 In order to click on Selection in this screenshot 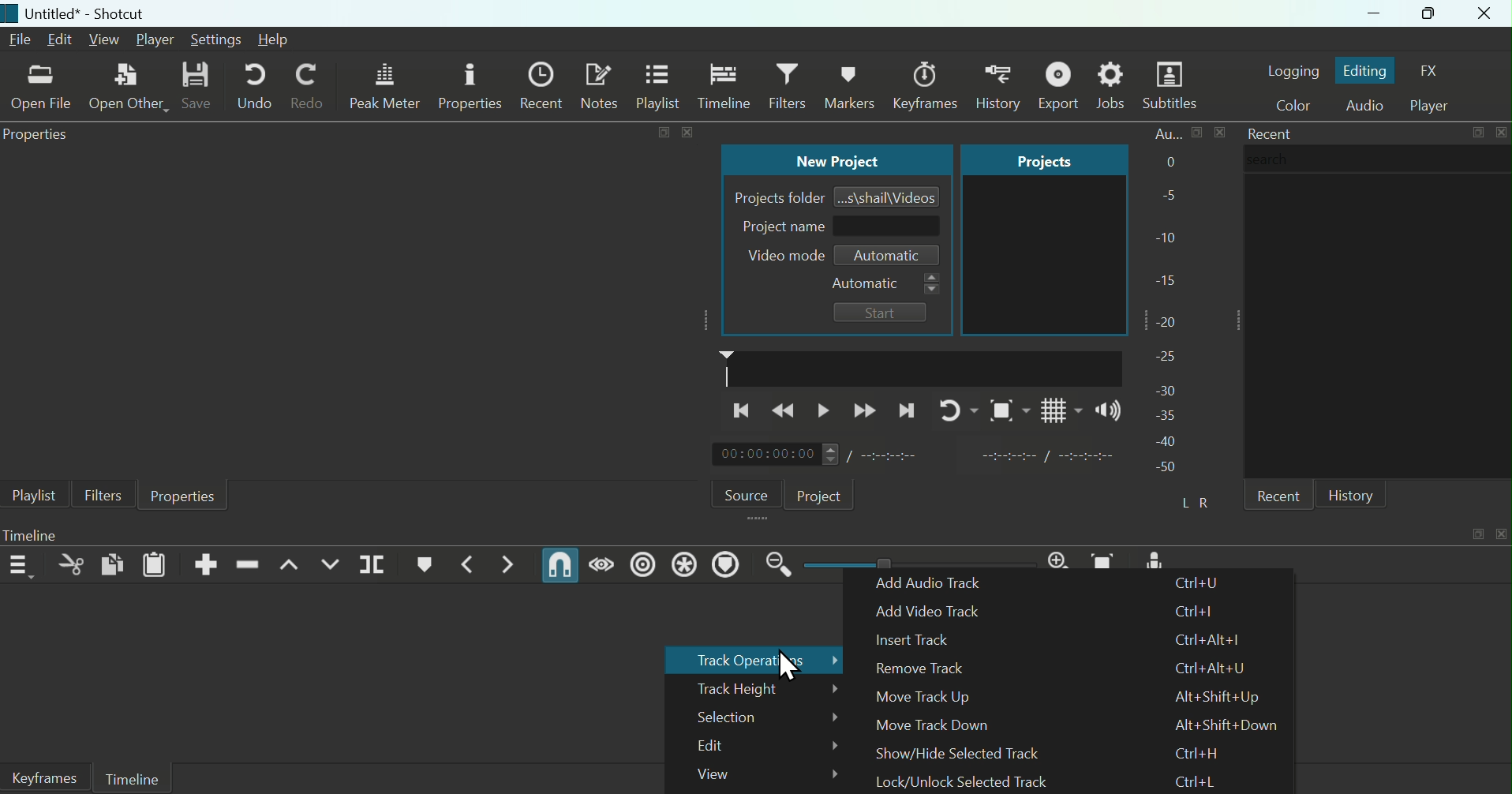, I will do `click(755, 717)`.